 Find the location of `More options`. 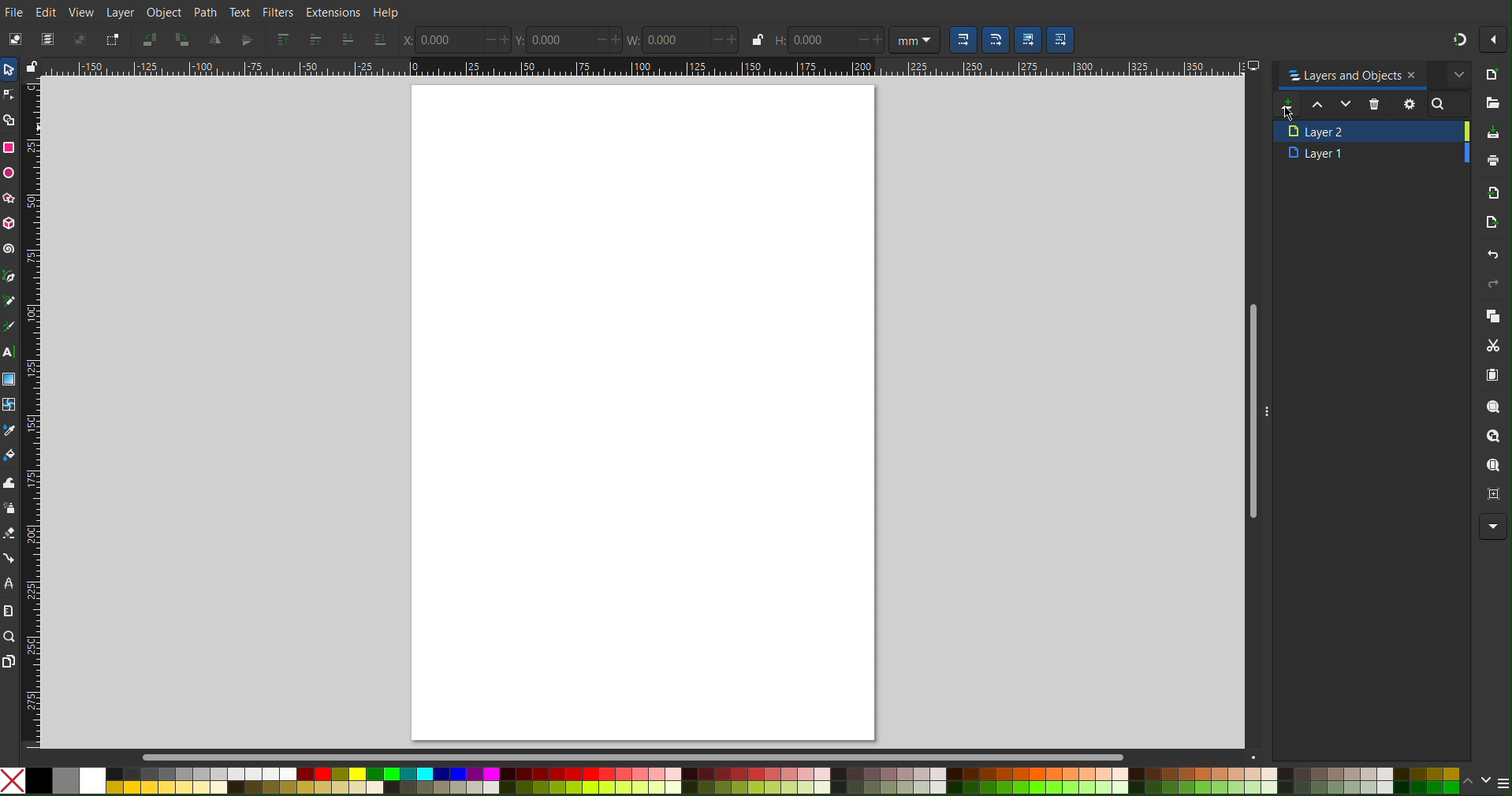

More options is located at coordinates (1493, 38).